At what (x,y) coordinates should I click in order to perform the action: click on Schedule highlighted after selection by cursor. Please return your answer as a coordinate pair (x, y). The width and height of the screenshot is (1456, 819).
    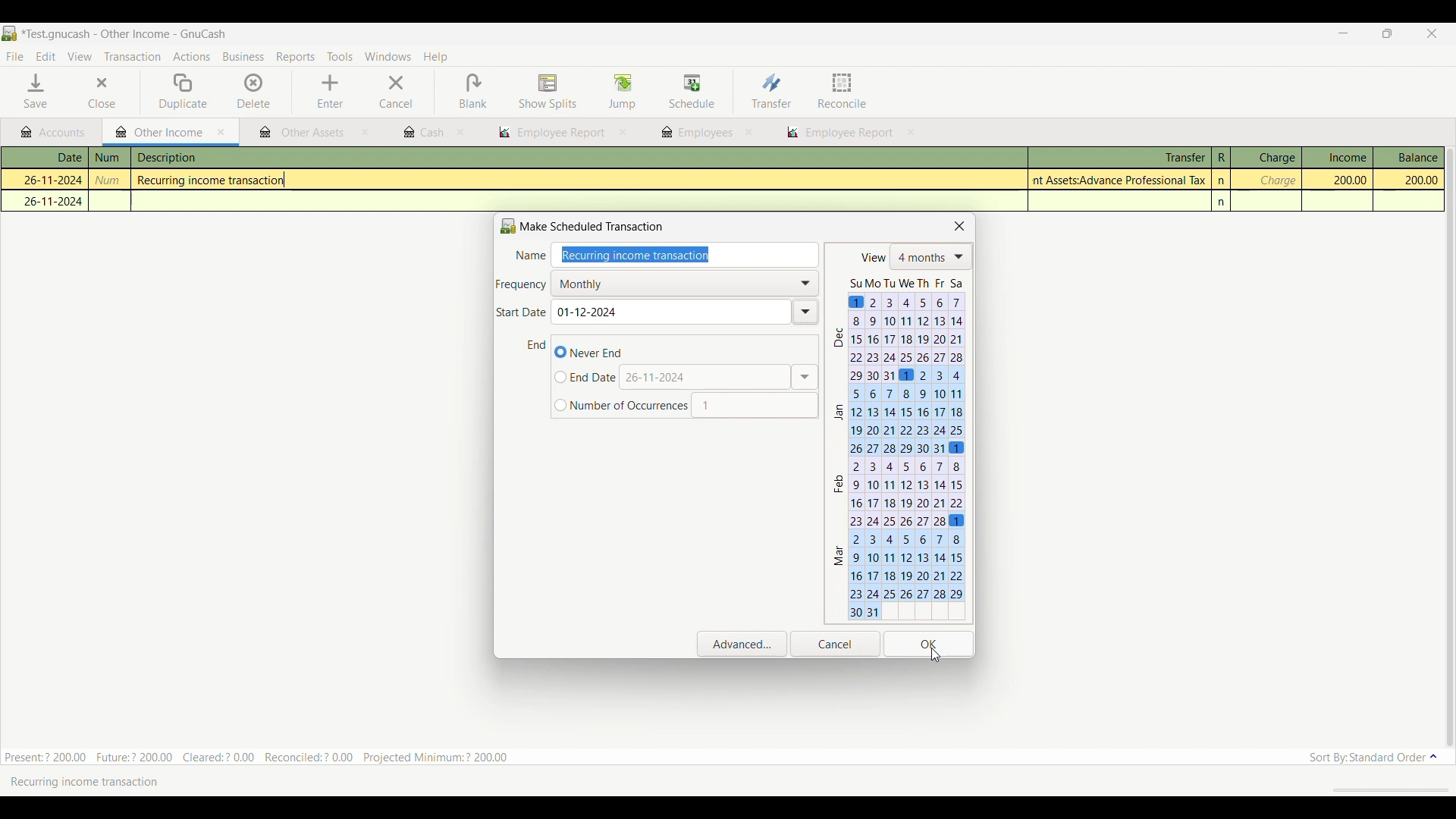
    Looking at the image, I should click on (692, 93).